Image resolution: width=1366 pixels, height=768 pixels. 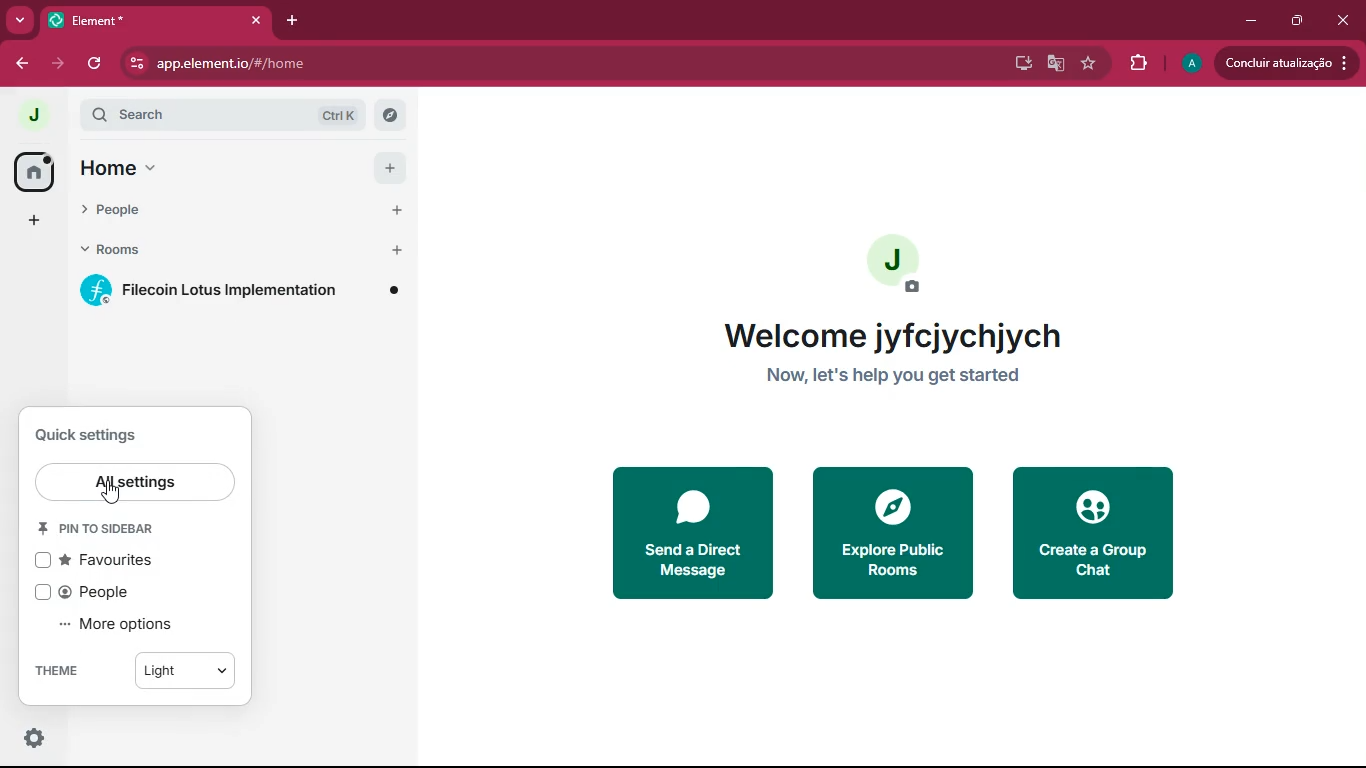 What do you see at coordinates (122, 625) in the screenshot?
I see `more options` at bounding box center [122, 625].